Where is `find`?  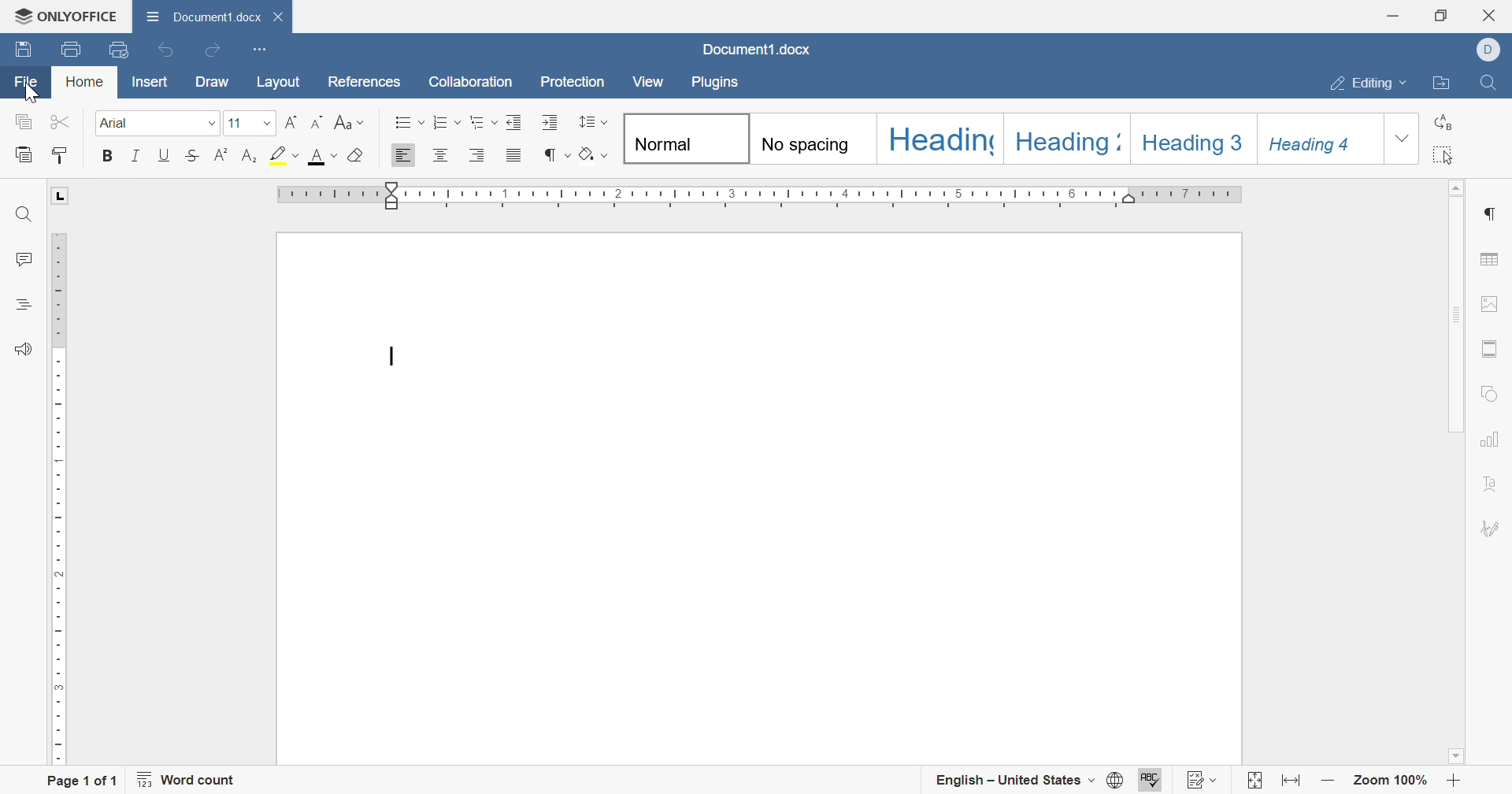 find is located at coordinates (24, 213).